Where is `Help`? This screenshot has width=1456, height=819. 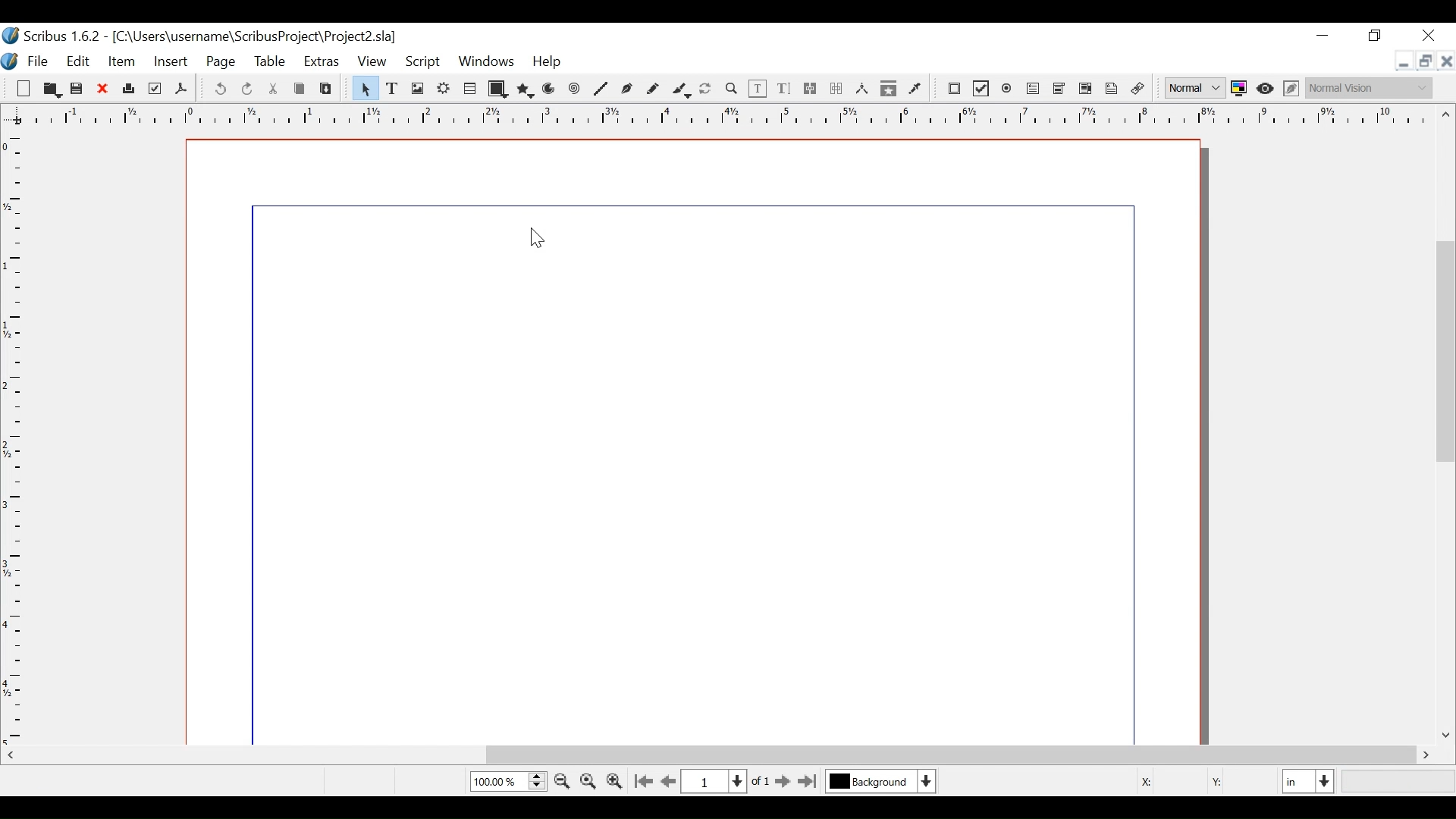 Help is located at coordinates (548, 64).